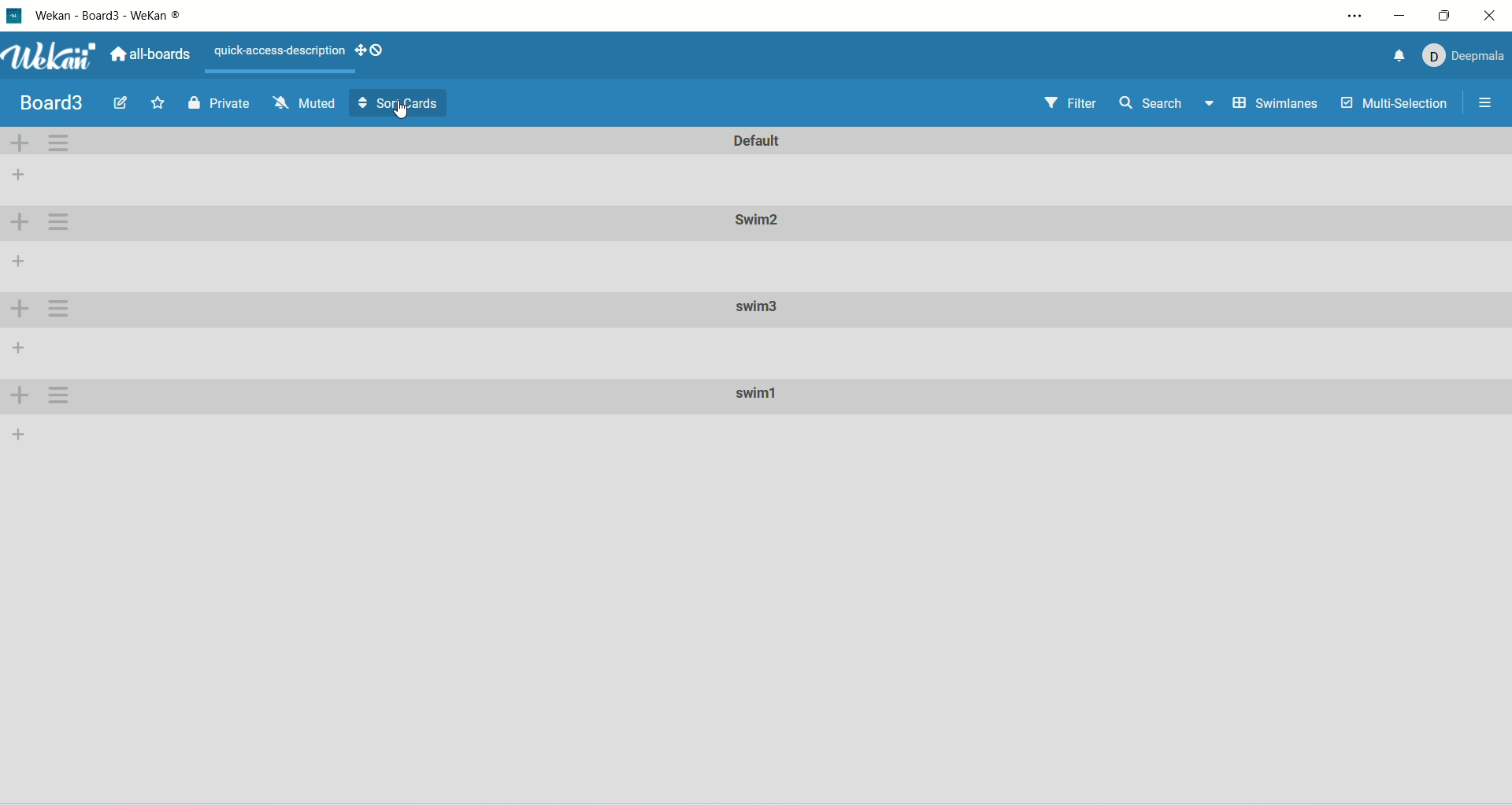 The width and height of the screenshot is (1512, 805). Describe the element at coordinates (56, 103) in the screenshot. I see `board title` at that location.